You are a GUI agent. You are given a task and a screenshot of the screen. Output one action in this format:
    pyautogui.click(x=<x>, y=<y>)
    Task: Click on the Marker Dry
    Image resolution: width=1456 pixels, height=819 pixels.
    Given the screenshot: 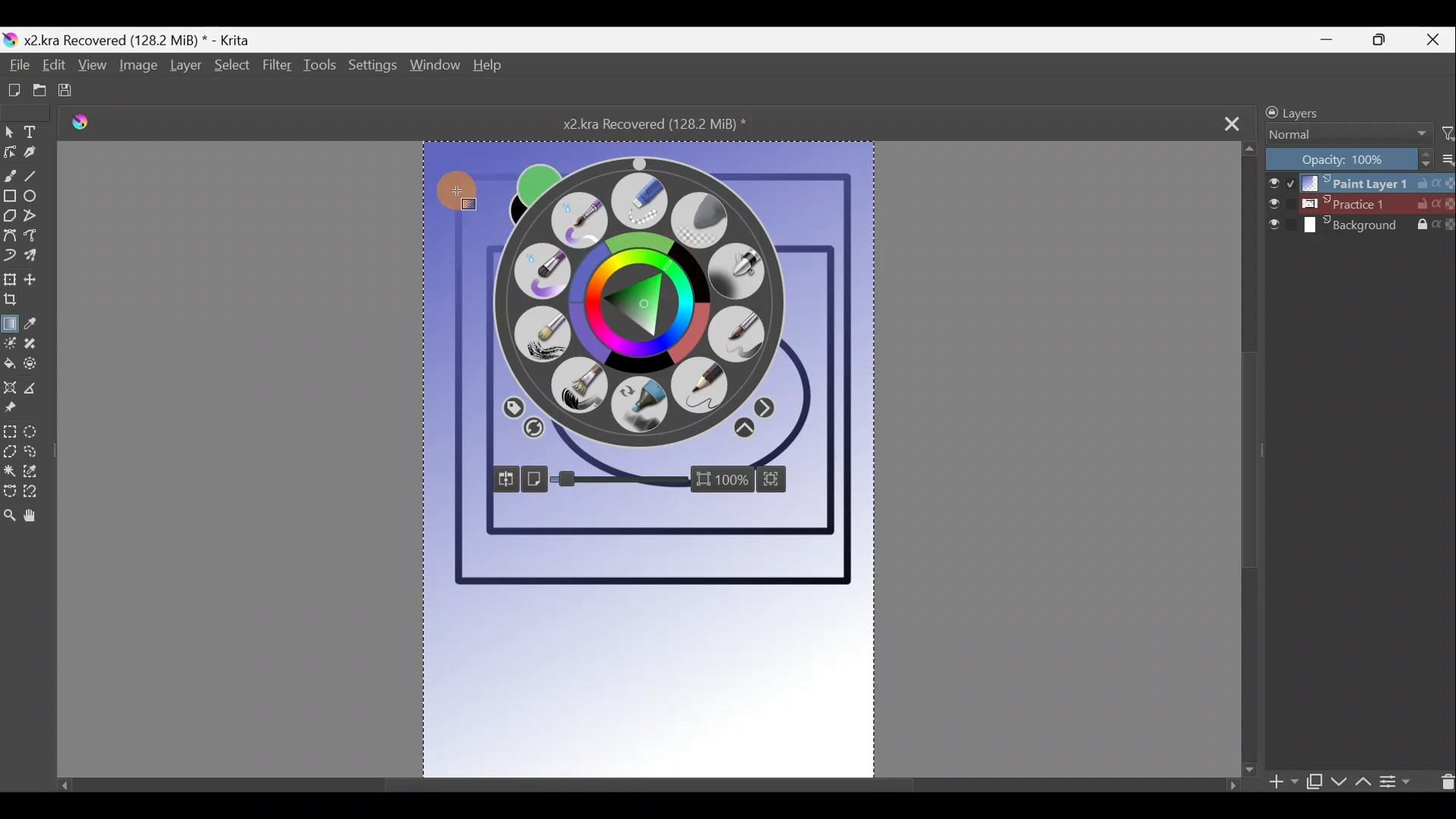 What is the action you would take?
    pyautogui.click(x=642, y=406)
    